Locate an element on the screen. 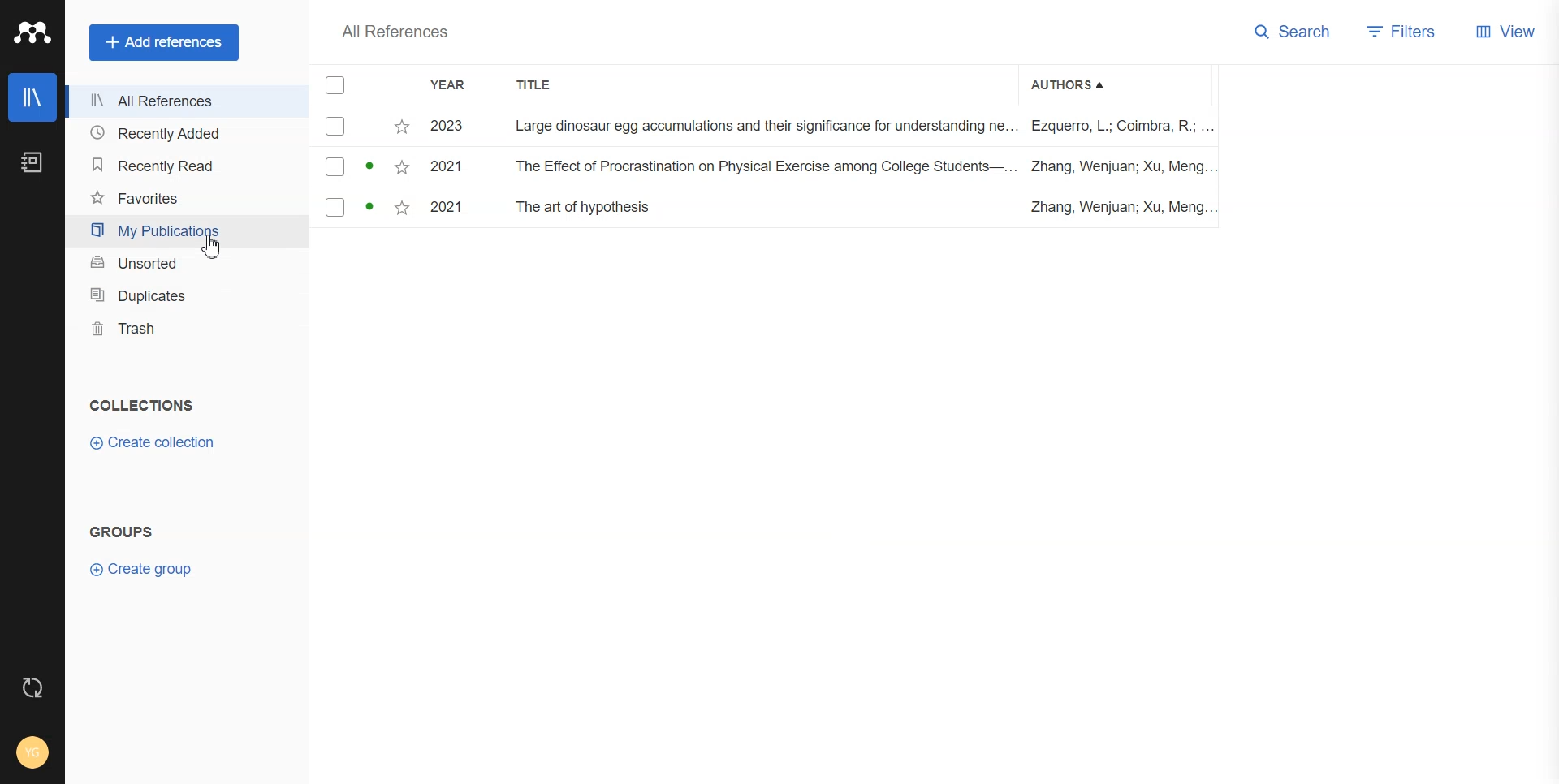 This screenshot has width=1559, height=784. Large dinosaur egg accumulations and their significance for understanding ne. is located at coordinates (763, 125).